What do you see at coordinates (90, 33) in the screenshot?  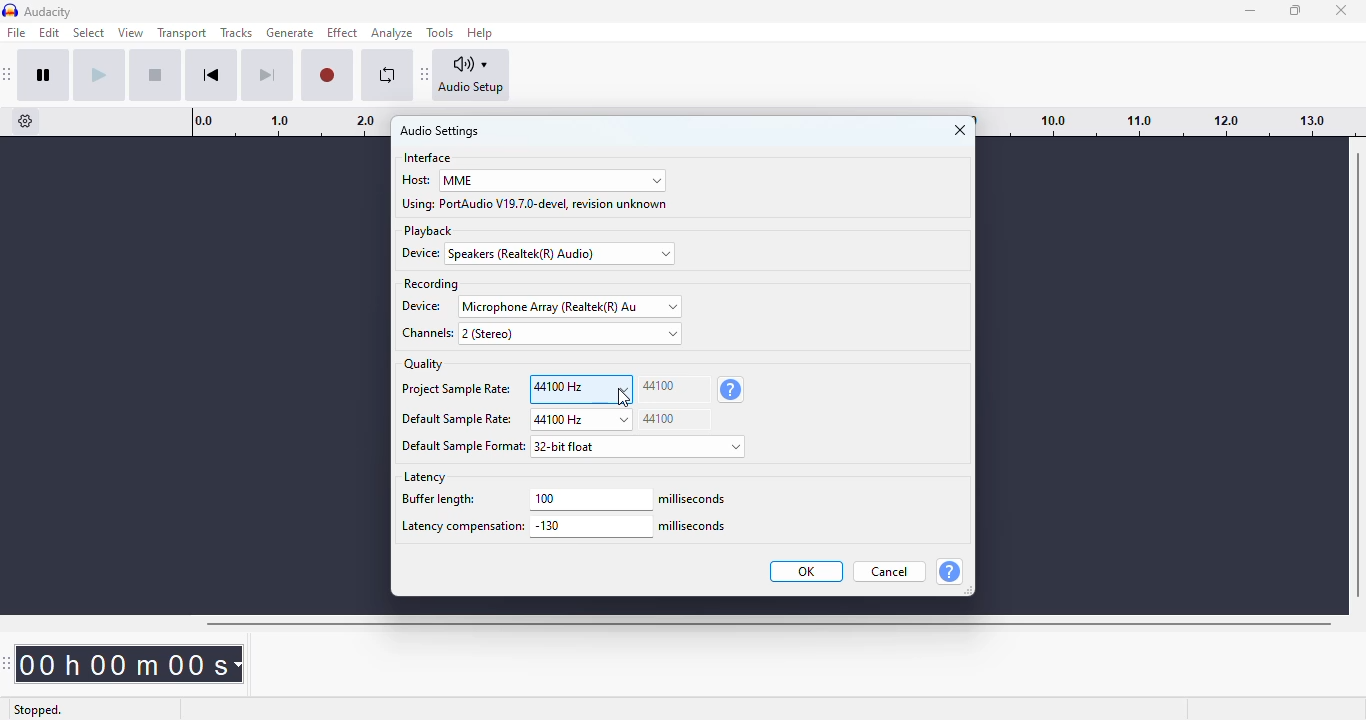 I see `select` at bounding box center [90, 33].